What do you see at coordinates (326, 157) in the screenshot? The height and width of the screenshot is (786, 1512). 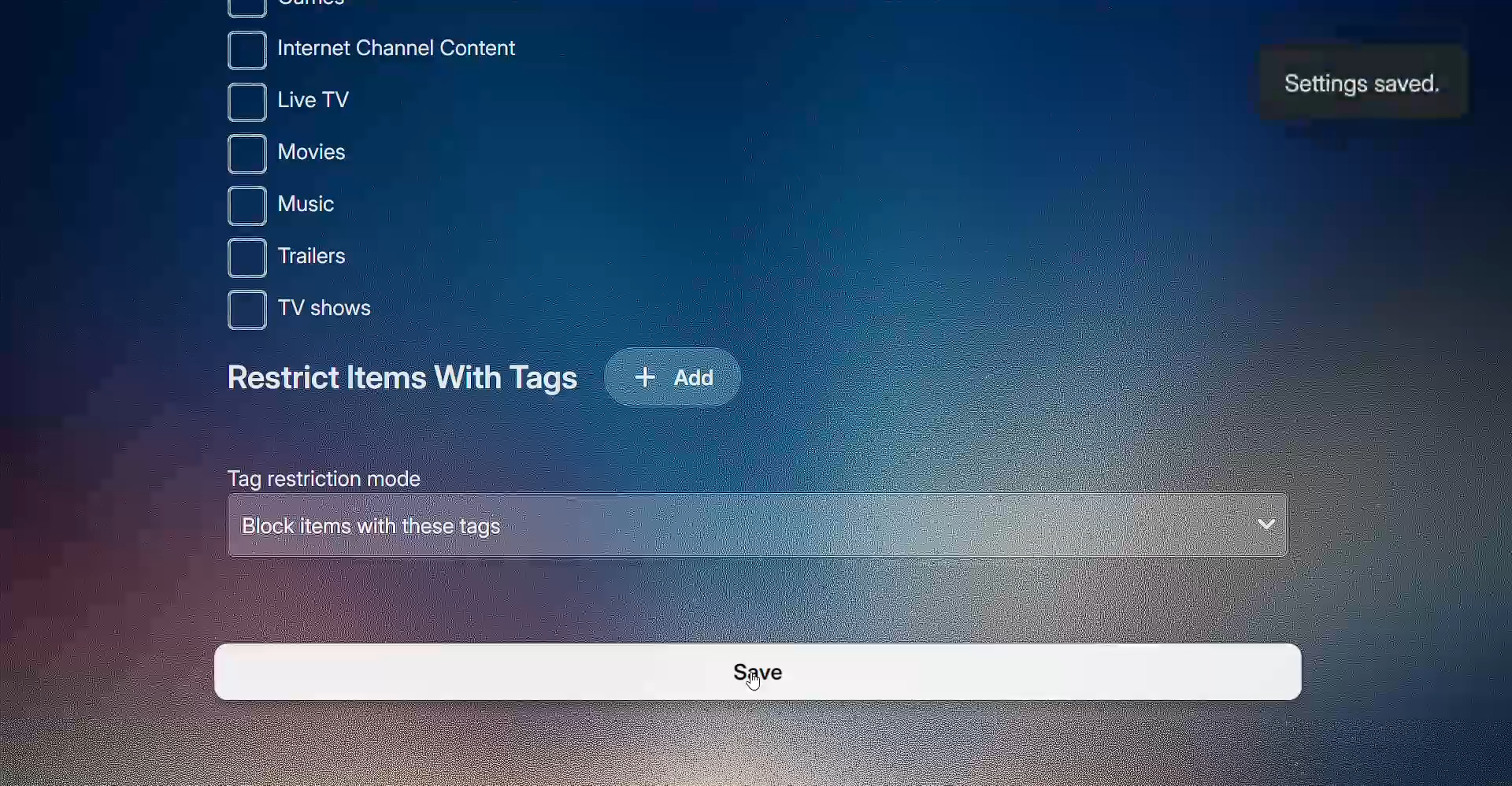 I see `Movies` at bounding box center [326, 157].